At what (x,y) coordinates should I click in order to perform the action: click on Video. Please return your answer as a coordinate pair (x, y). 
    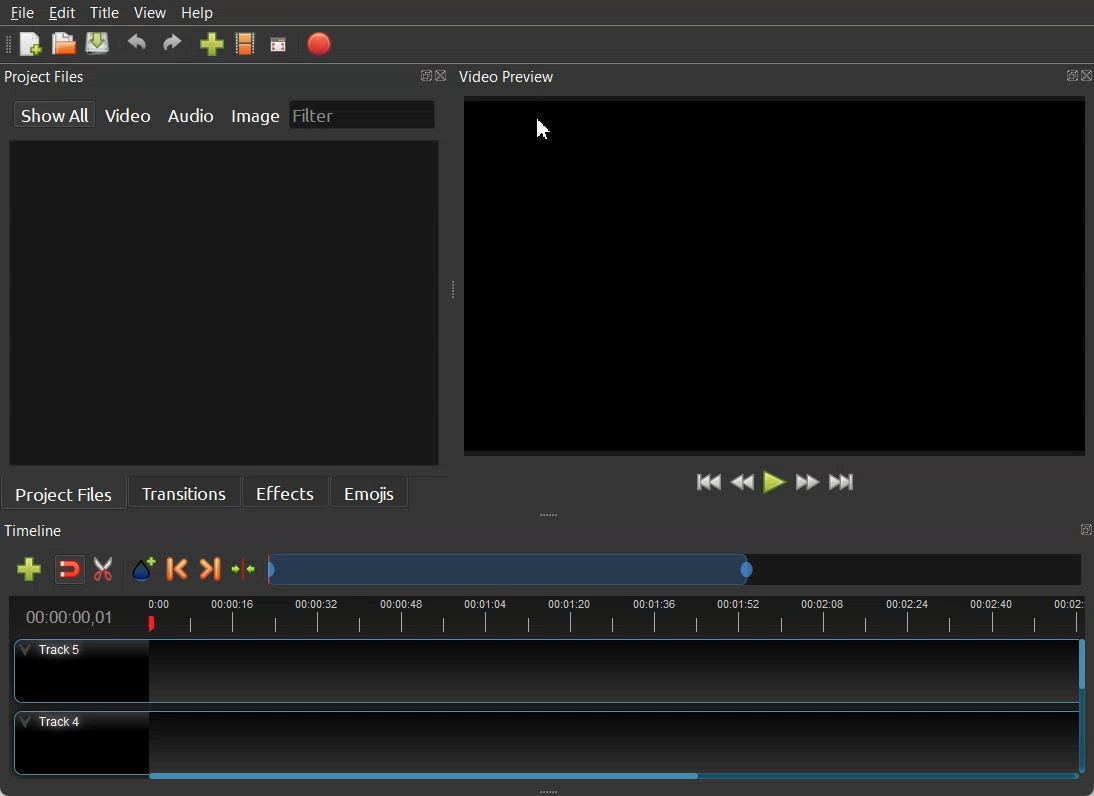
    Looking at the image, I should click on (128, 116).